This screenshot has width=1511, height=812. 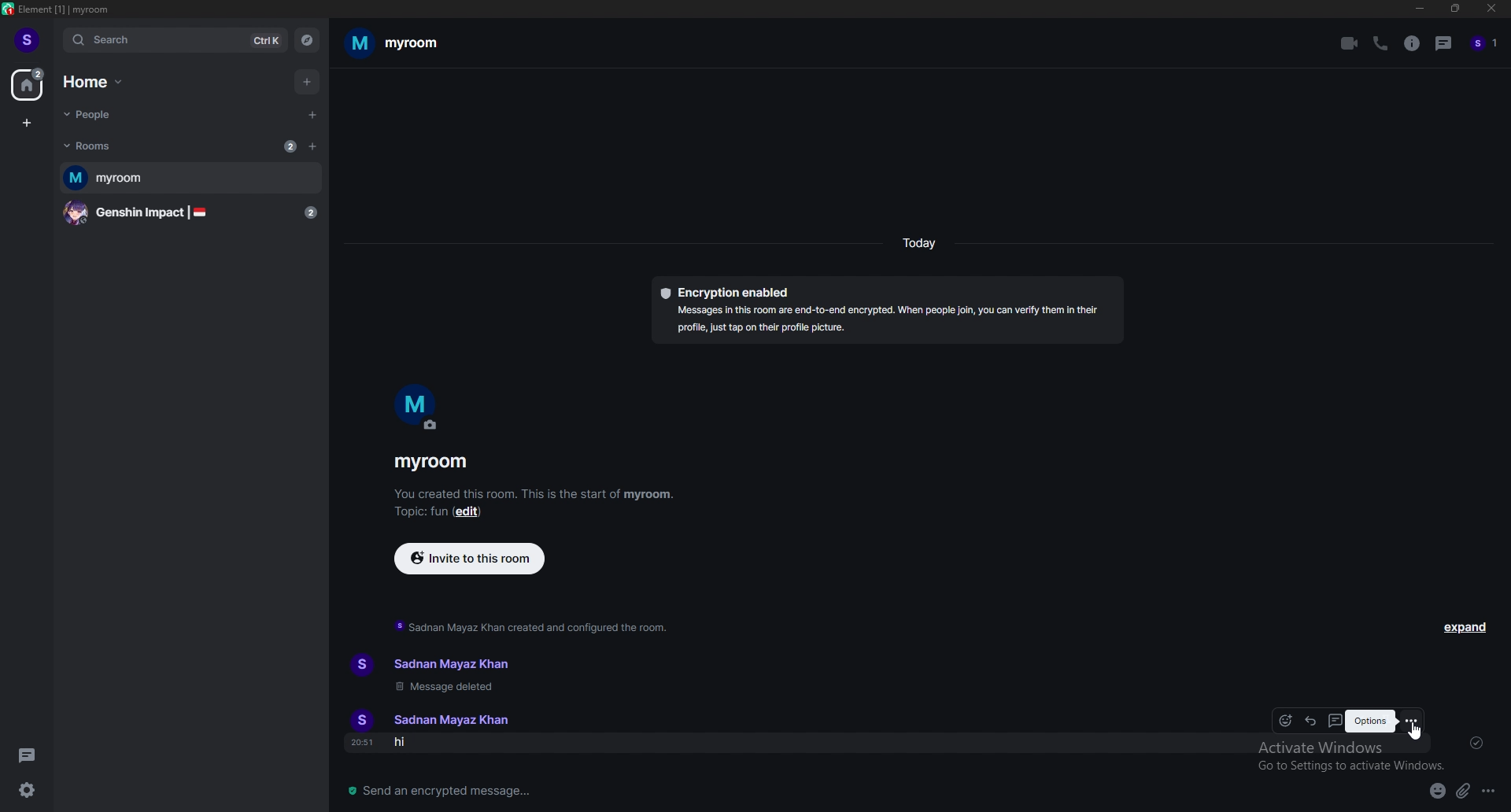 I want to click on invite to this room., so click(x=470, y=557).